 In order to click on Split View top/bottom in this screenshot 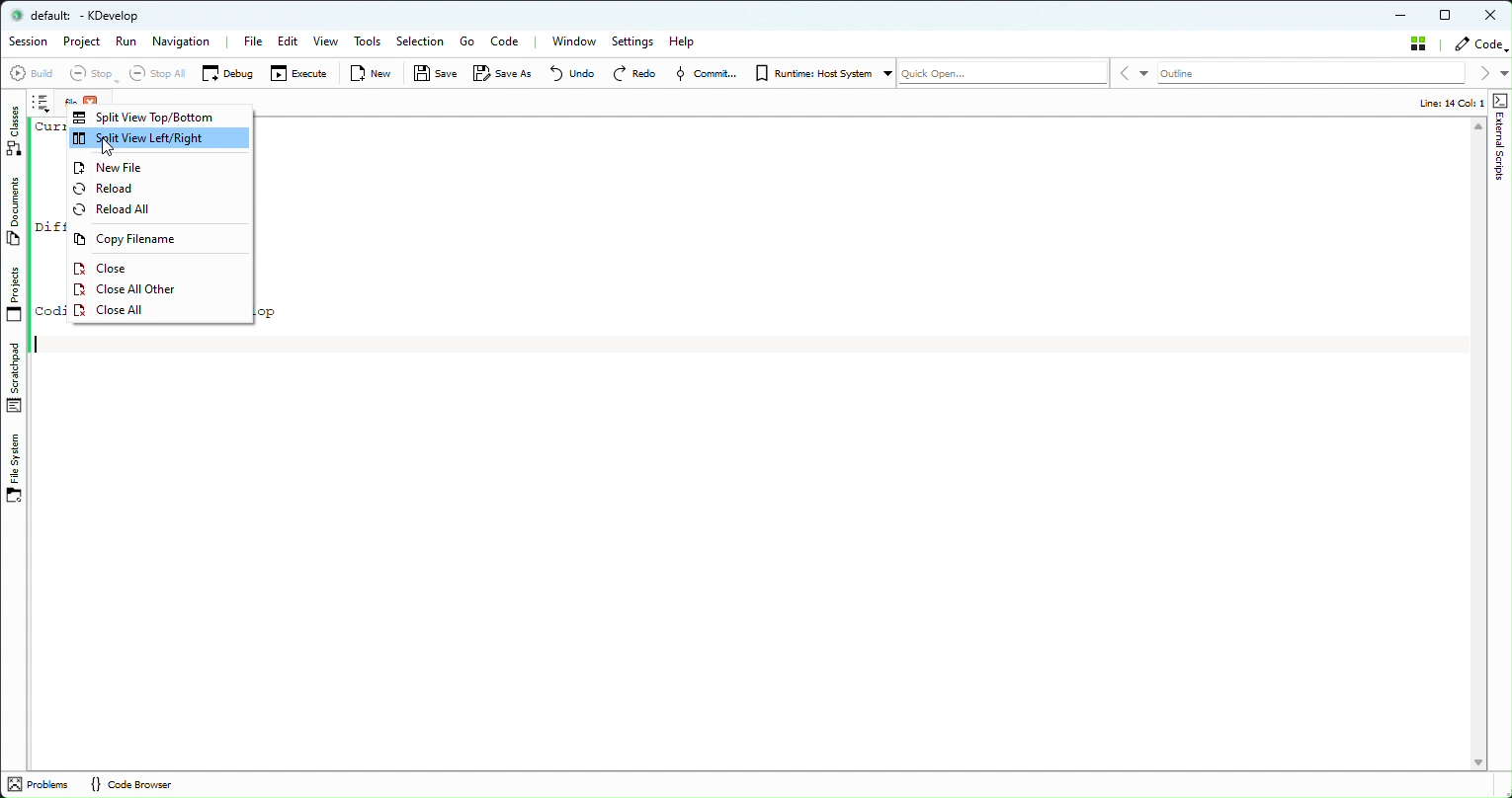, I will do `click(156, 118)`.